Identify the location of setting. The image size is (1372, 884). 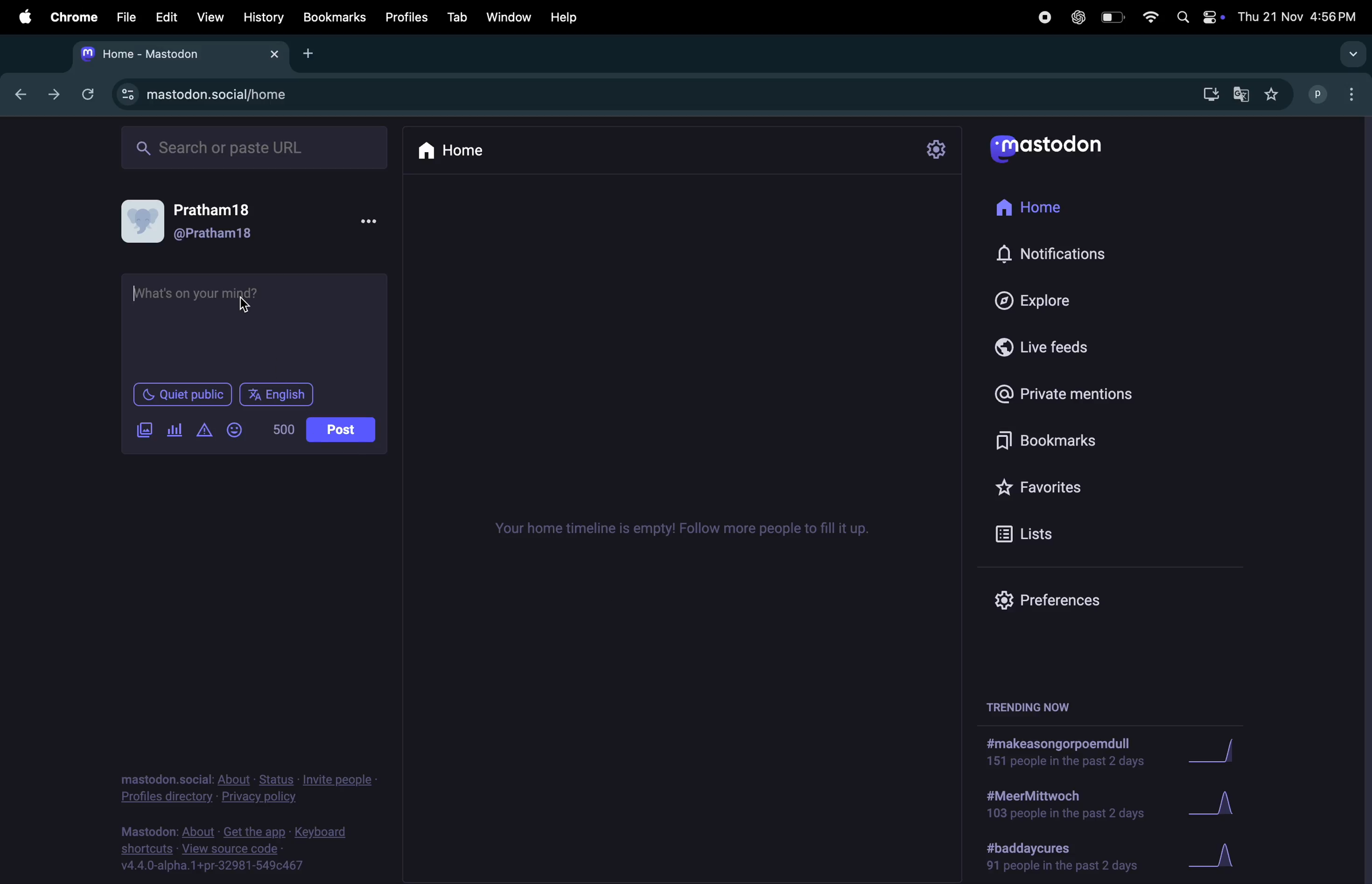
(934, 151).